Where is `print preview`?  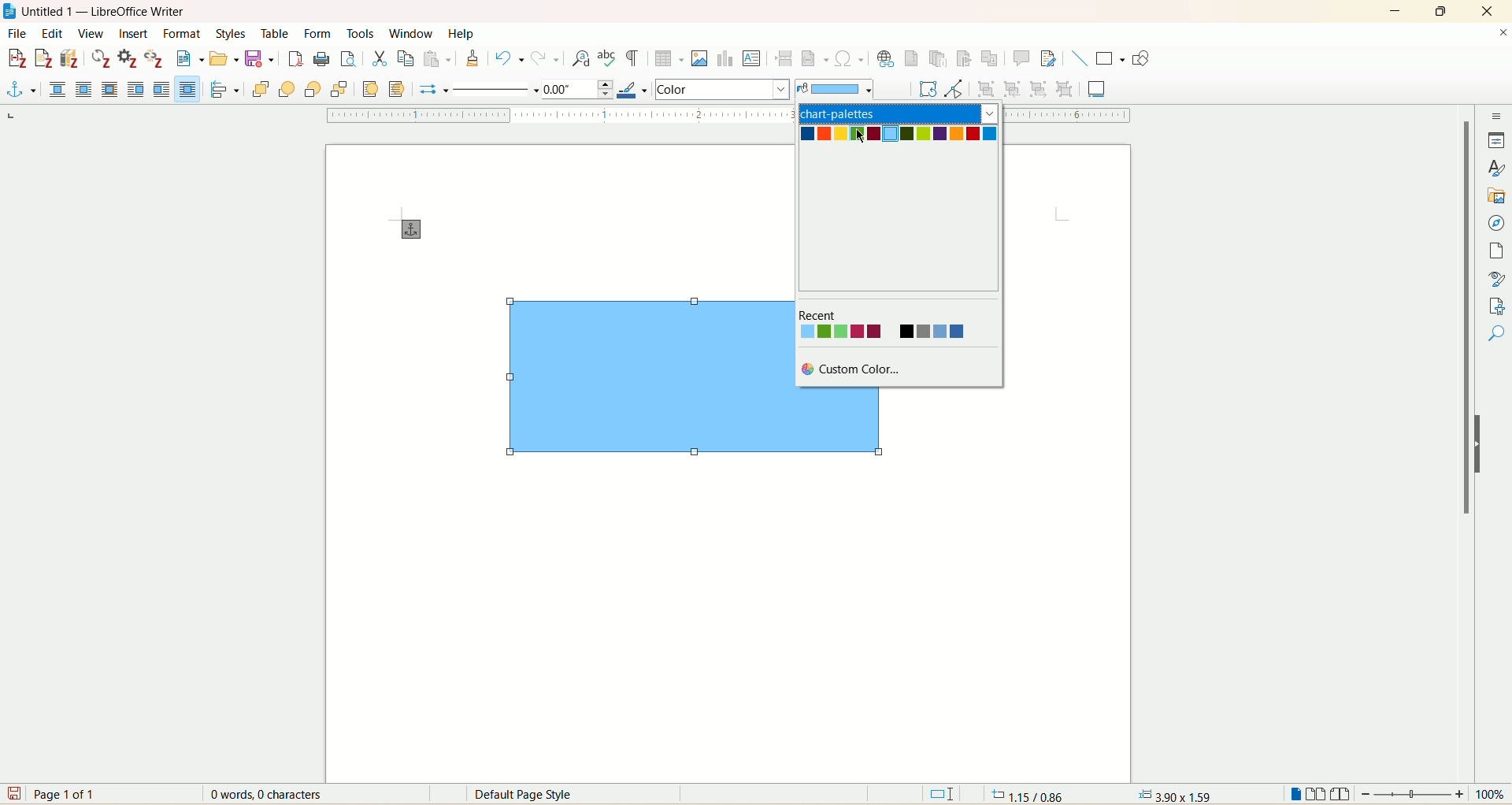 print preview is located at coordinates (347, 61).